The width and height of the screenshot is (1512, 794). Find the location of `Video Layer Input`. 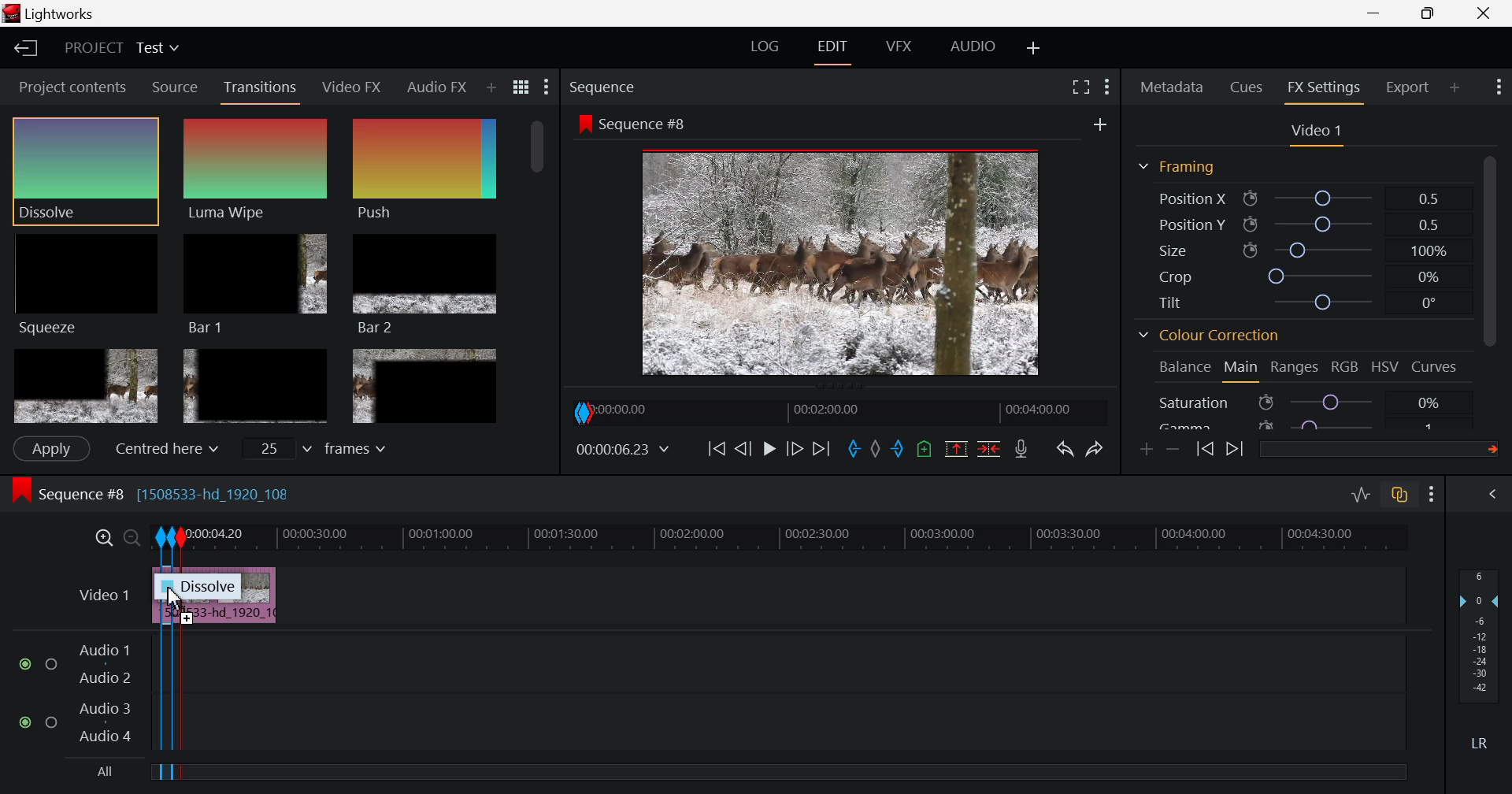

Video Layer Input is located at coordinates (100, 598).